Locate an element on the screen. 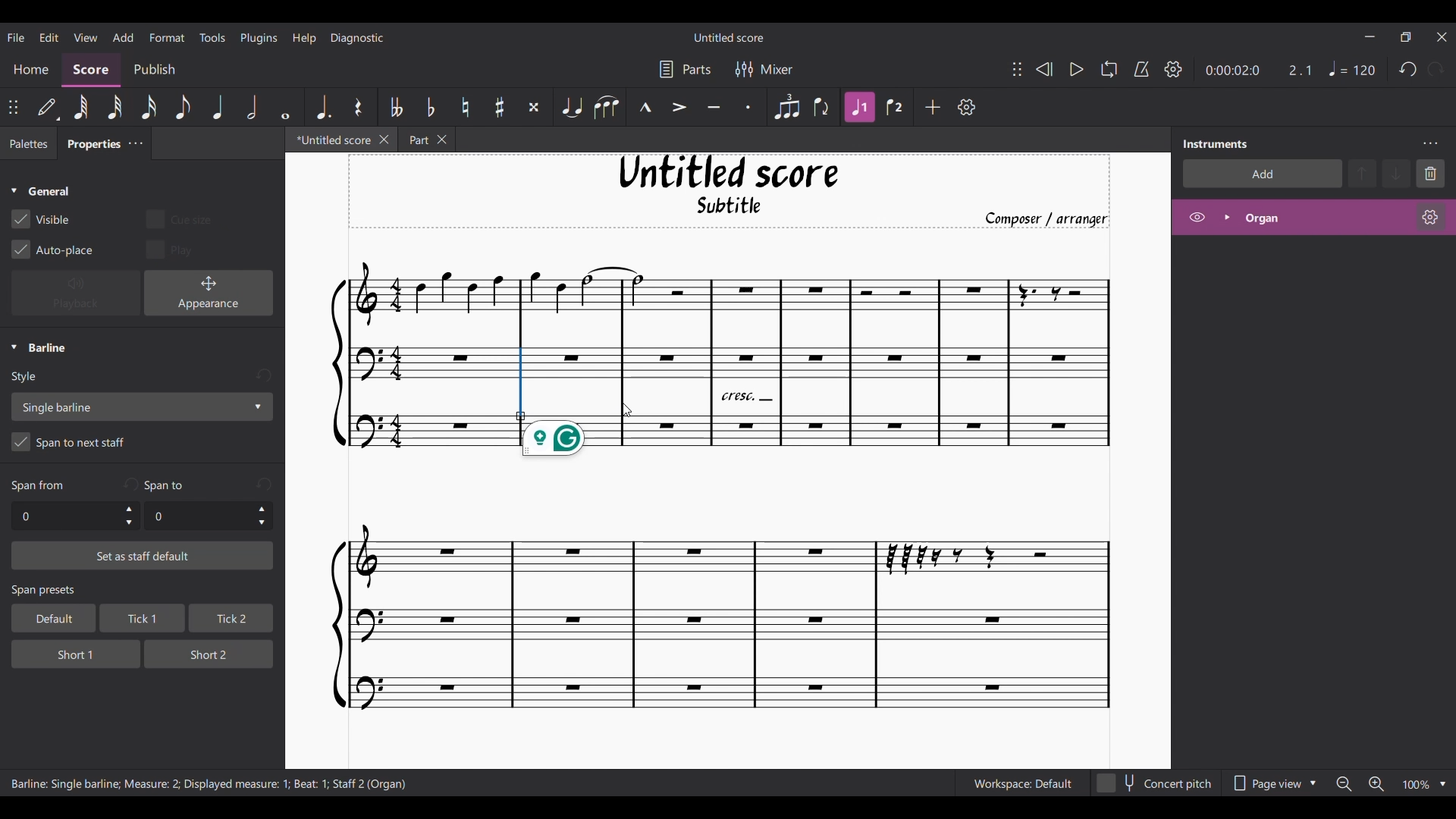 This screenshot has height=819, width=1456. Change position of toolbar attached is located at coordinates (1016, 69).